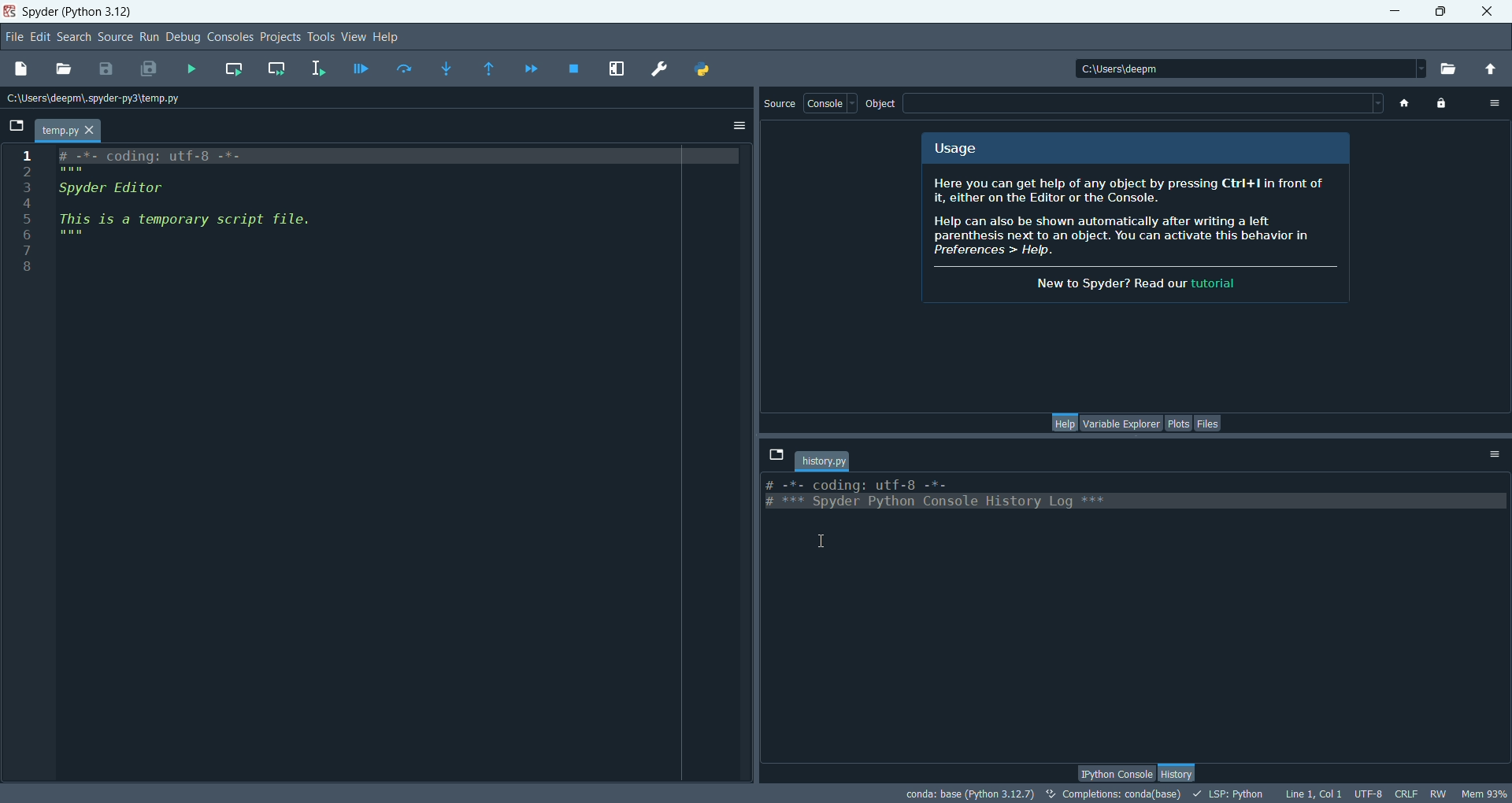 Image resolution: width=1512 pixels, height=803 pixels. Describe the element at coordinates (227, 205) in the screenshot. I see `script file` at that location.